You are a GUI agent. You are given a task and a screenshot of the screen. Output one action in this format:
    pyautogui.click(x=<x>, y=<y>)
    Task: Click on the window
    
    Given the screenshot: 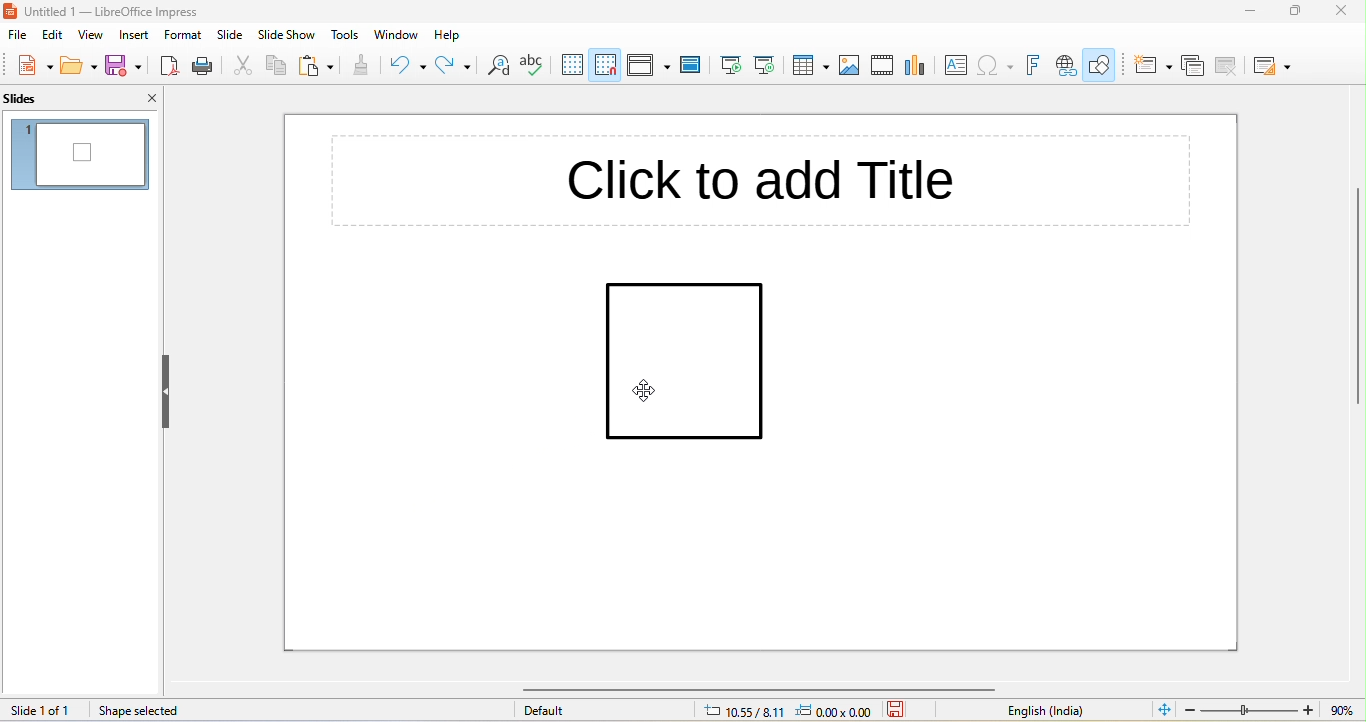 What is the action you would take?
    pyautogui.click(x=397, y=35)
    